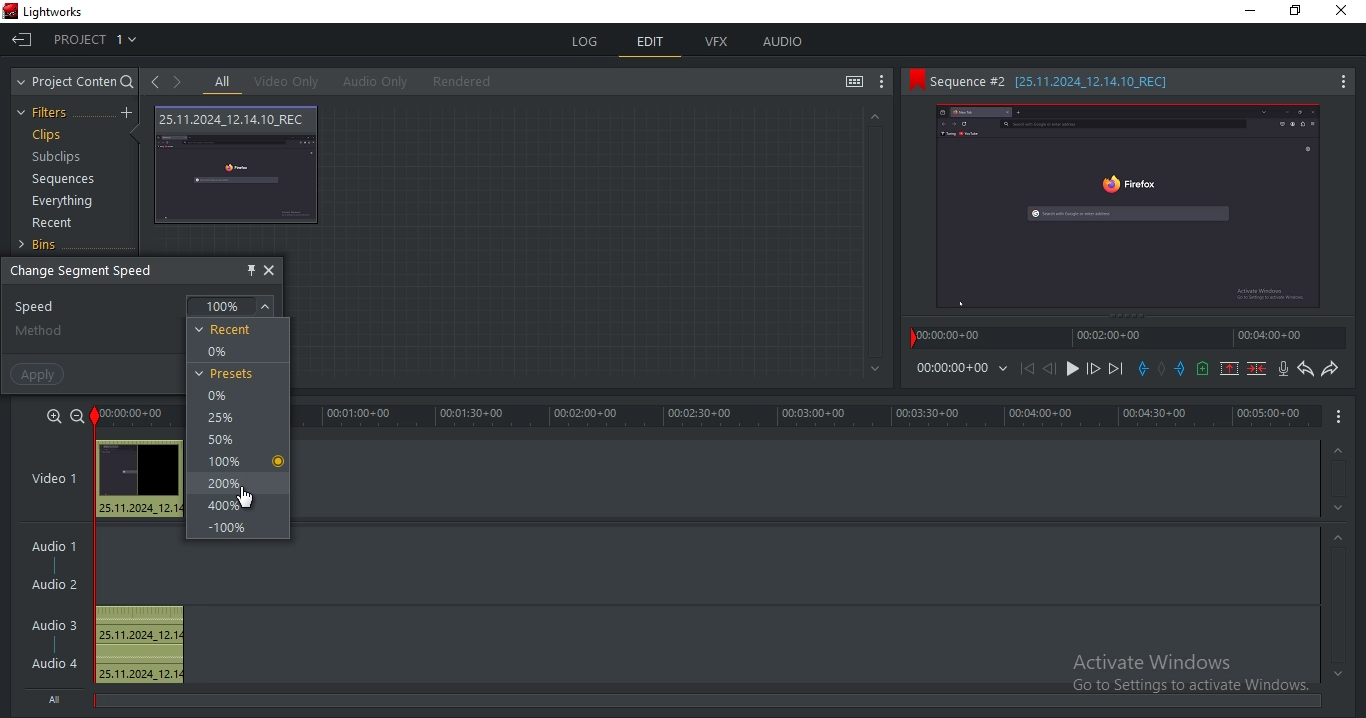  What do you see at coordinates (1114, 369) in the screenshot?
I see `move forward to the next cut` at bounding box center [1114, 369].